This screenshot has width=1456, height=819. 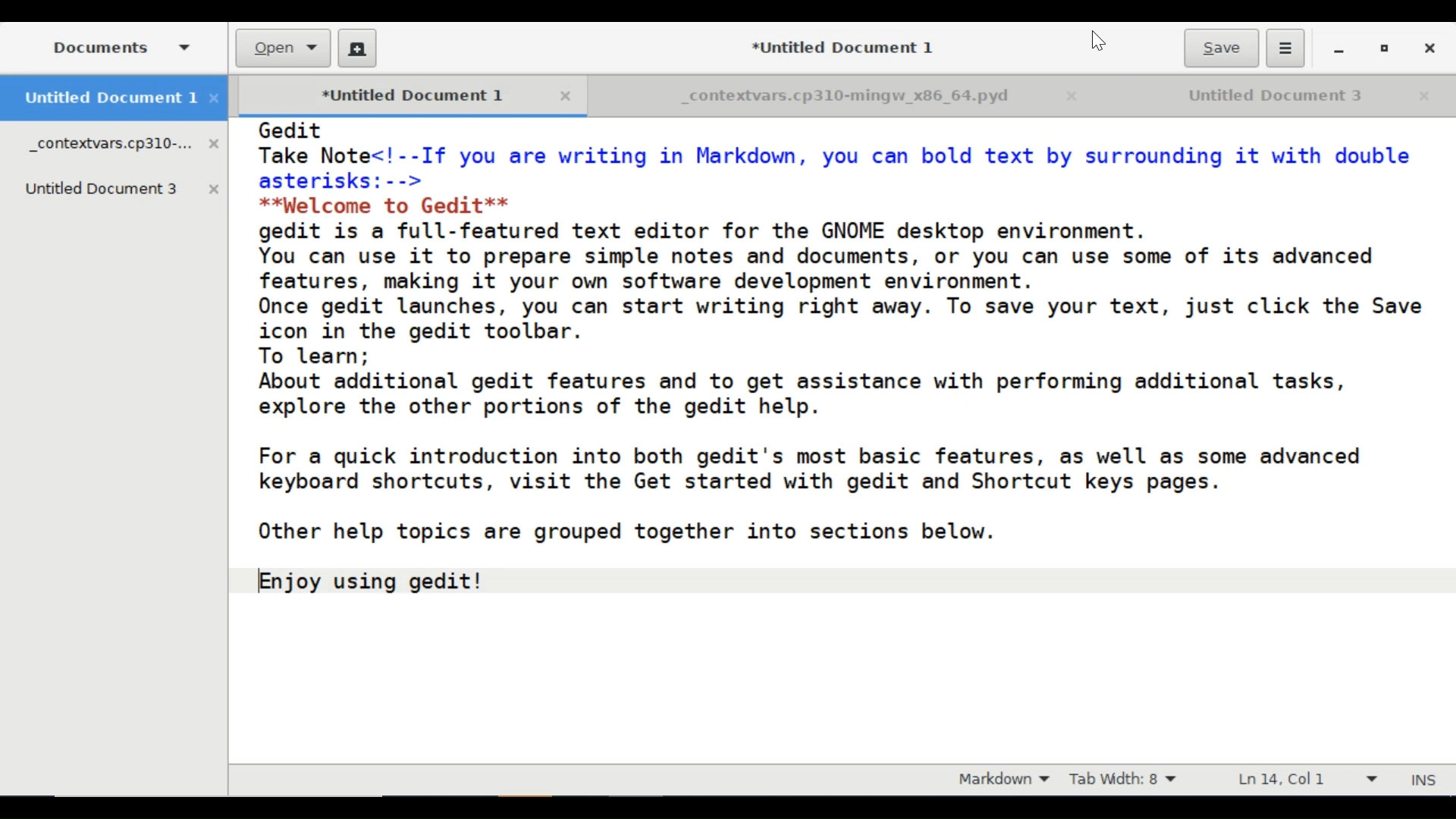 I want to click on Untitled Document 1 tab, so click(x=115, y=99).